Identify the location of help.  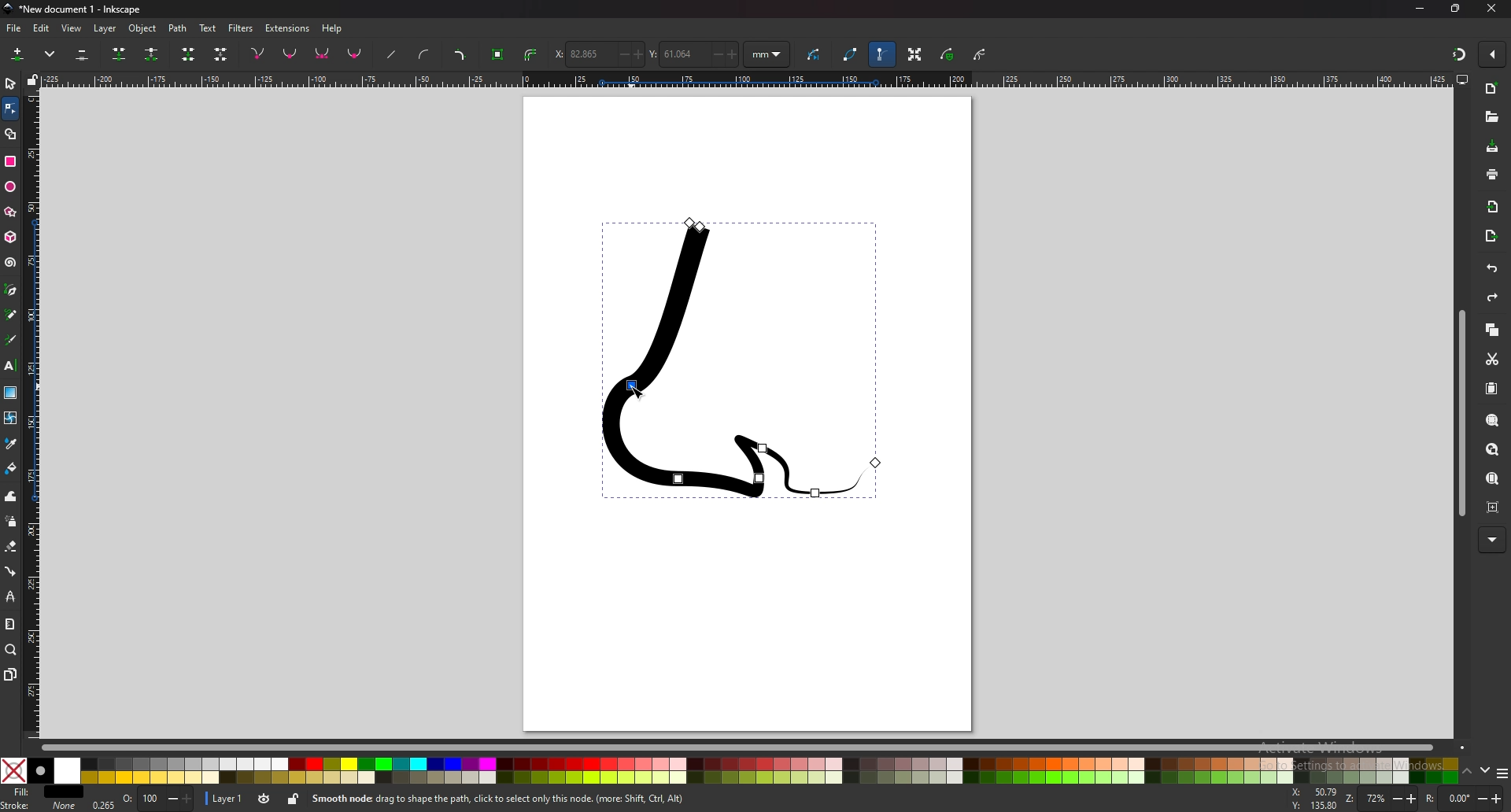
(334, 28).